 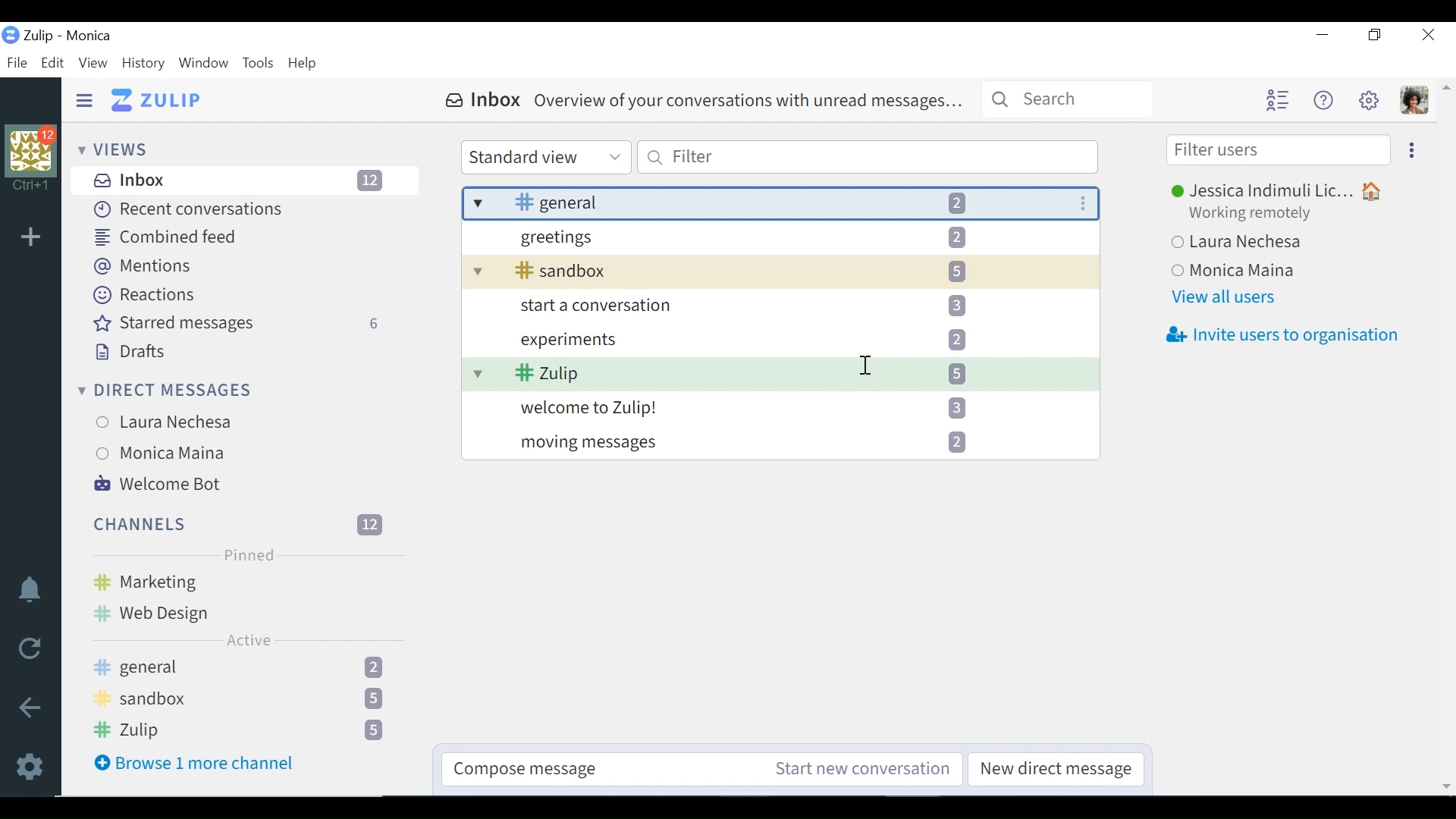 I want to click on Monica Maina, so click(x=160, y=454).